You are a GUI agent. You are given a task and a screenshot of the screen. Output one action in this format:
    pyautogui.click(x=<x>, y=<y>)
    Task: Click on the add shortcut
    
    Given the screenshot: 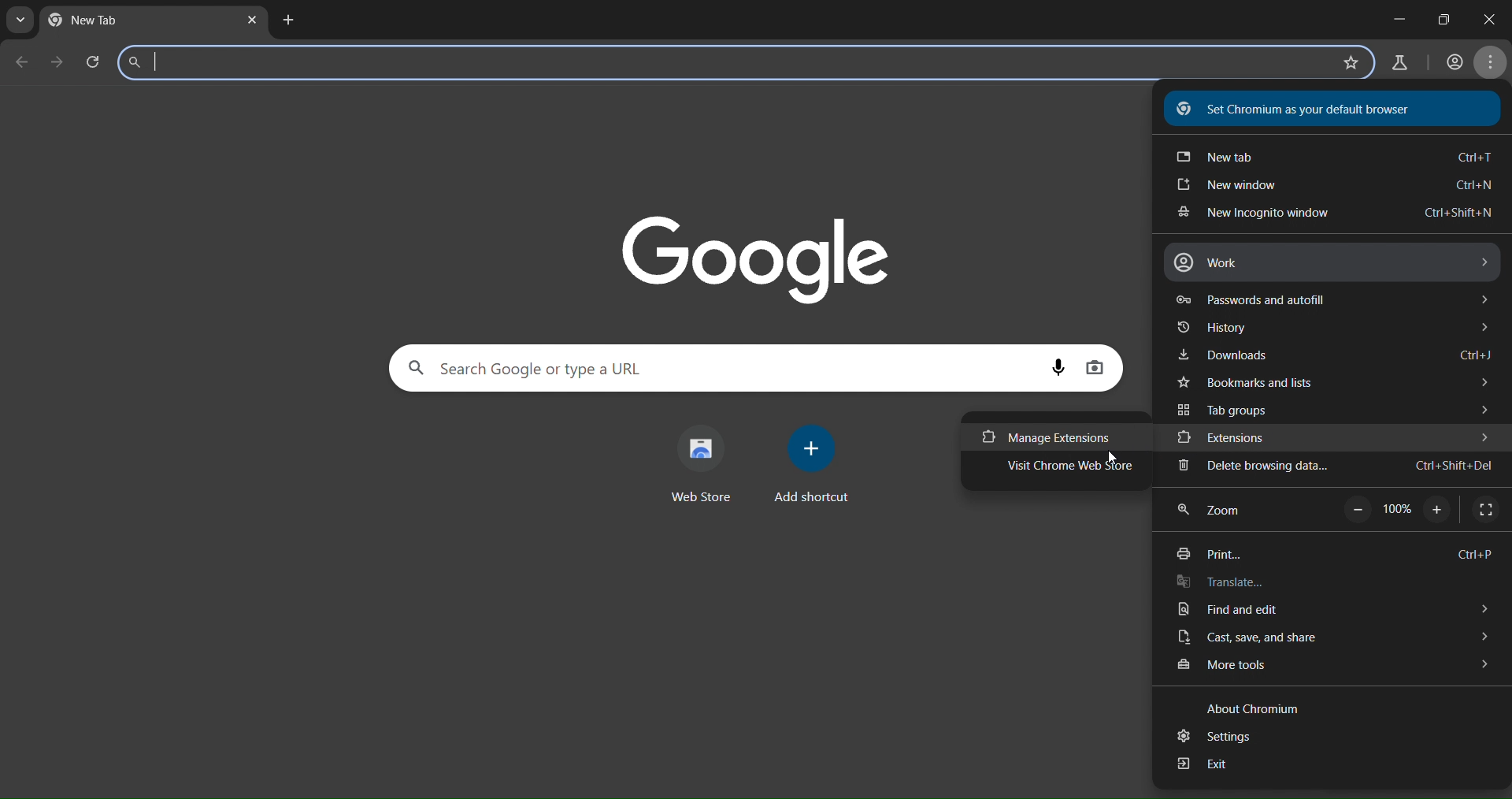 What is the action you would take?
    pyautogui.click(x=811, y=464)
    